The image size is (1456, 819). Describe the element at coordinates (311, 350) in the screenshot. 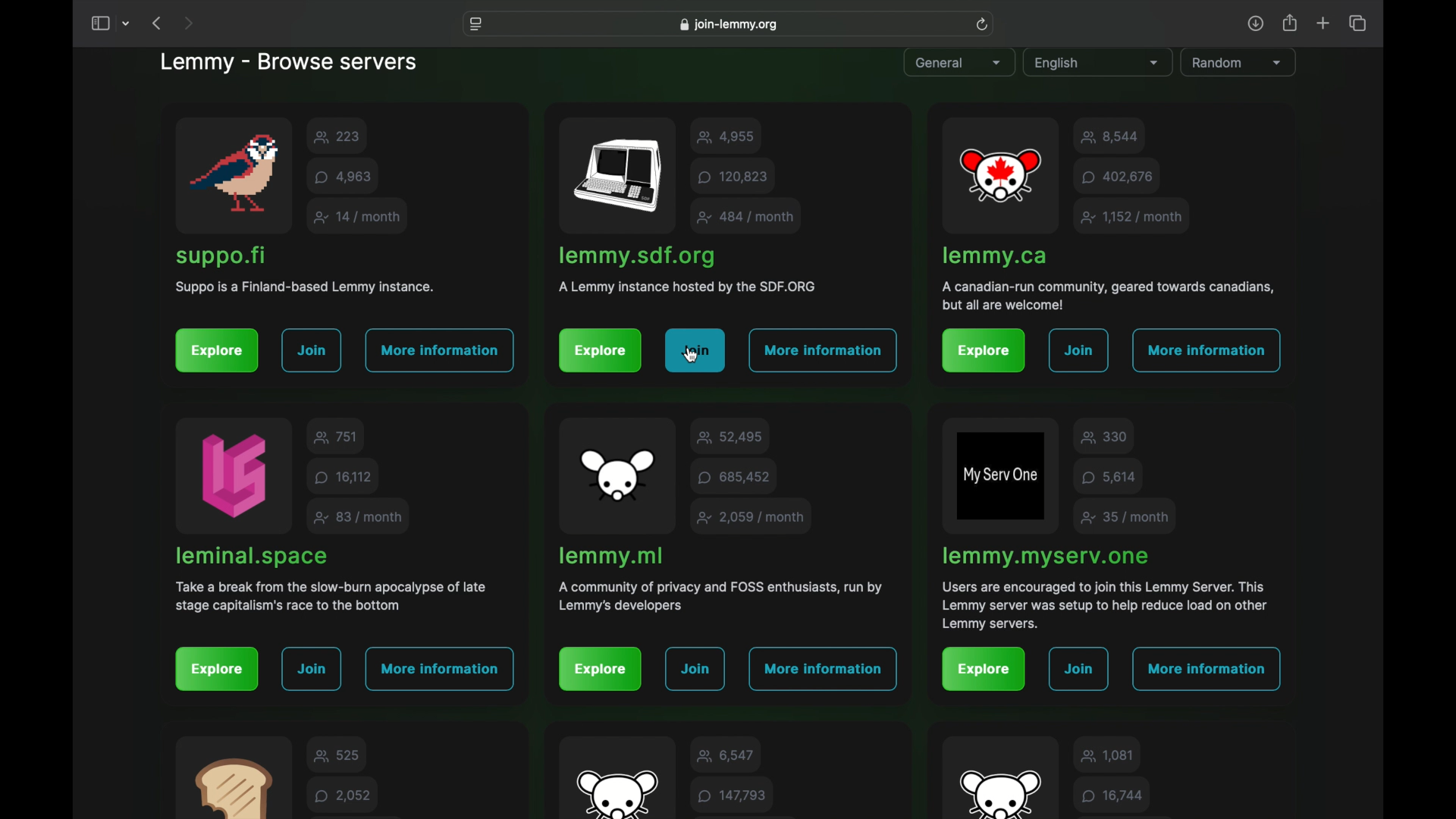

I see `join` at that location.